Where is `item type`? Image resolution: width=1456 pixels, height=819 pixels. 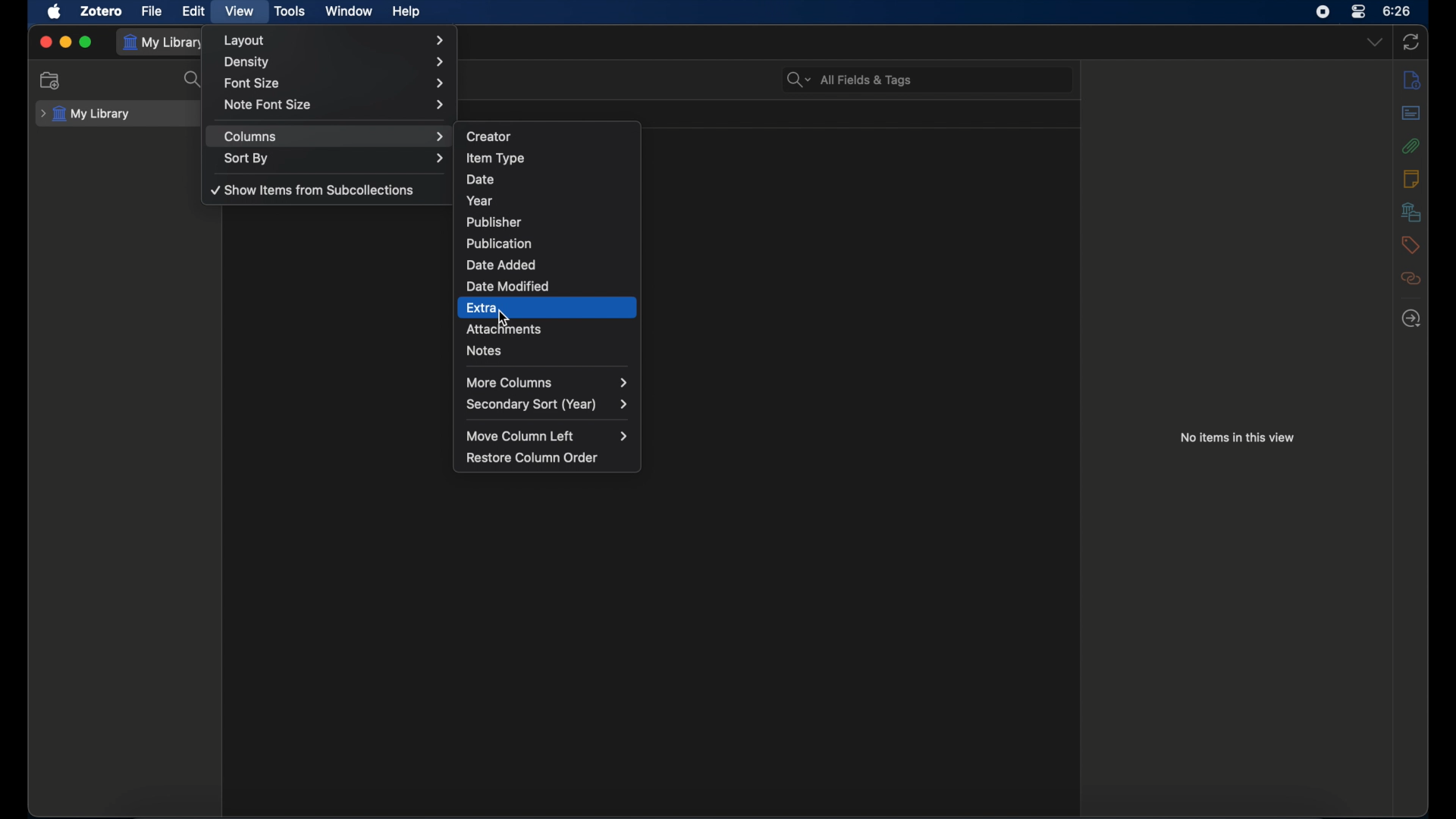
item type is located at coordinates (548, 158).